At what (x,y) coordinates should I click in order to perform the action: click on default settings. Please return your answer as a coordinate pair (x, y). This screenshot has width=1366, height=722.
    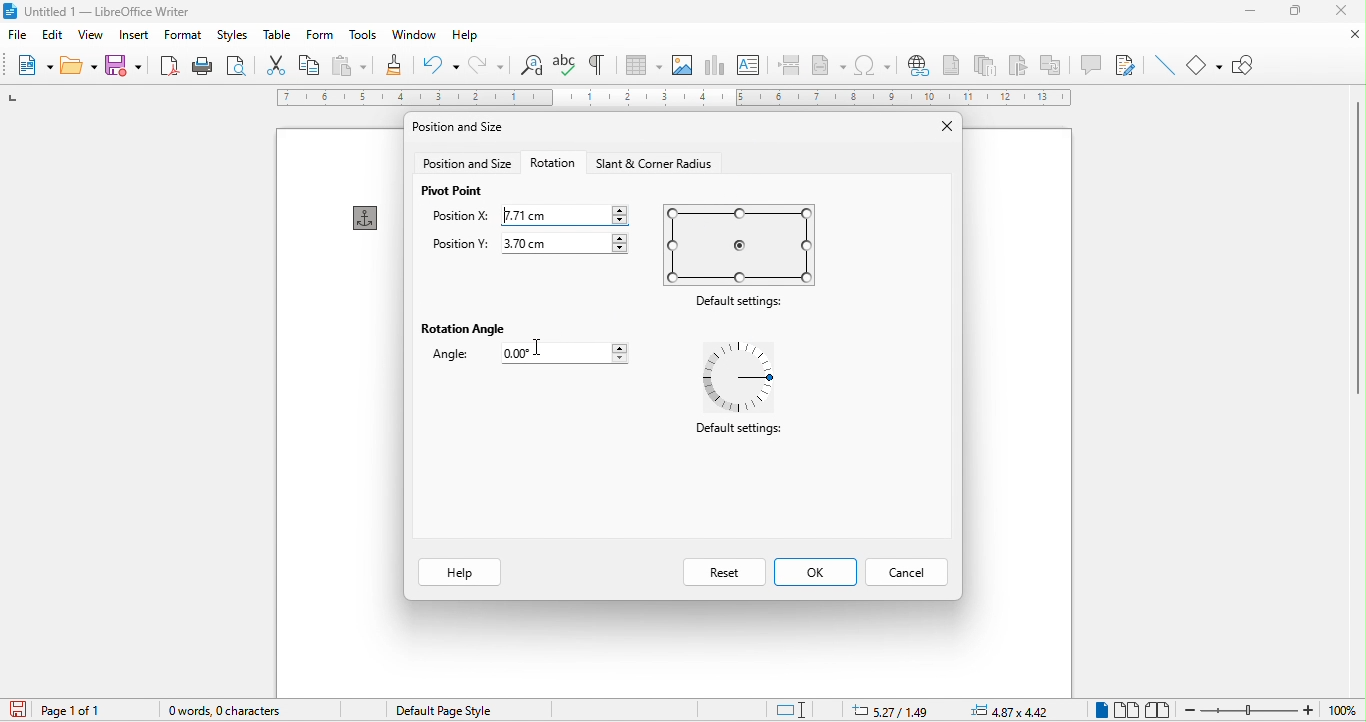
    Looking at the image, I should click on (736, 245).